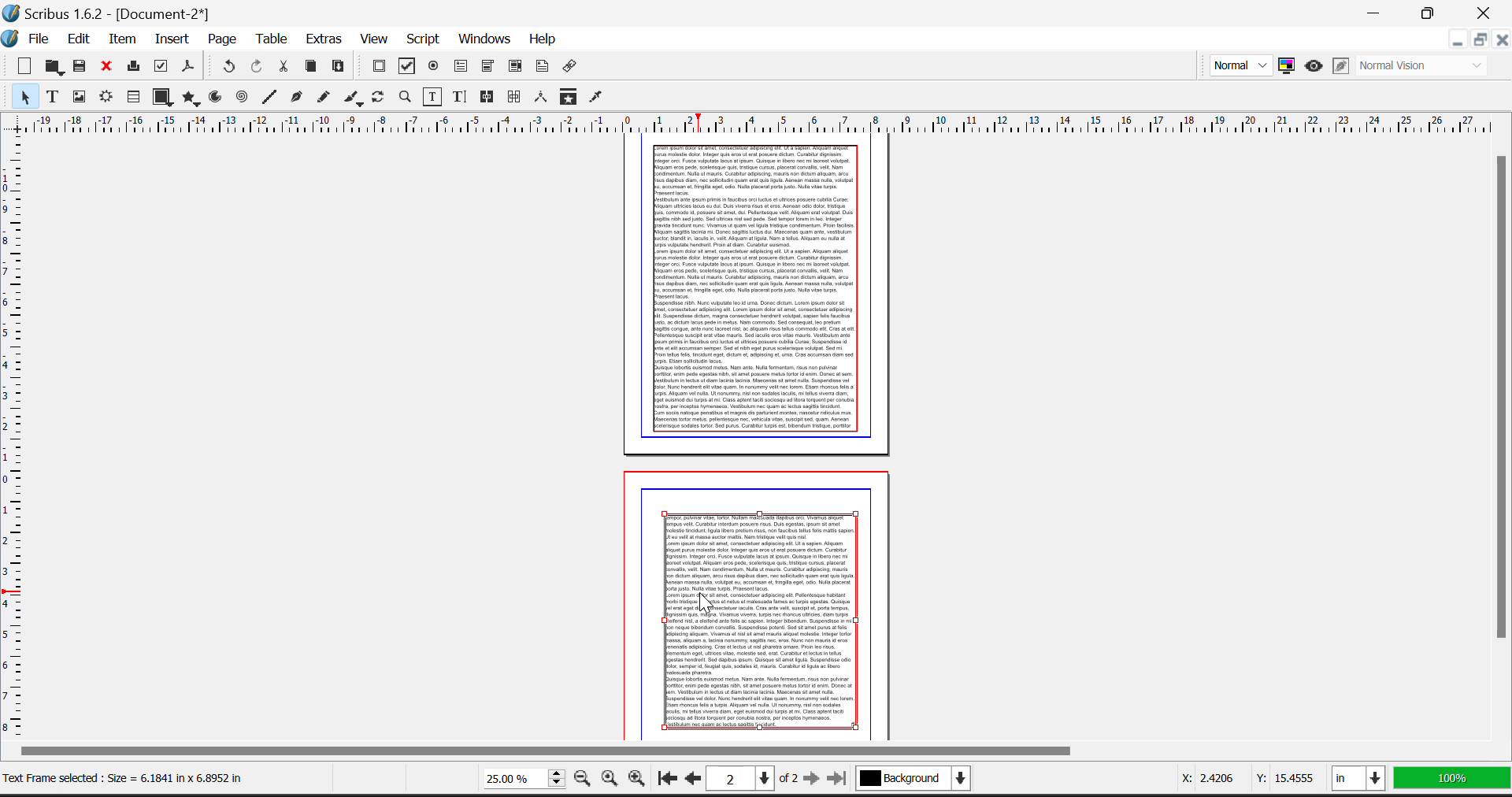  What do you see at coordinates (513, 777) in the screenshot?
I see `25.00% ` at bounding box center [513, 777].